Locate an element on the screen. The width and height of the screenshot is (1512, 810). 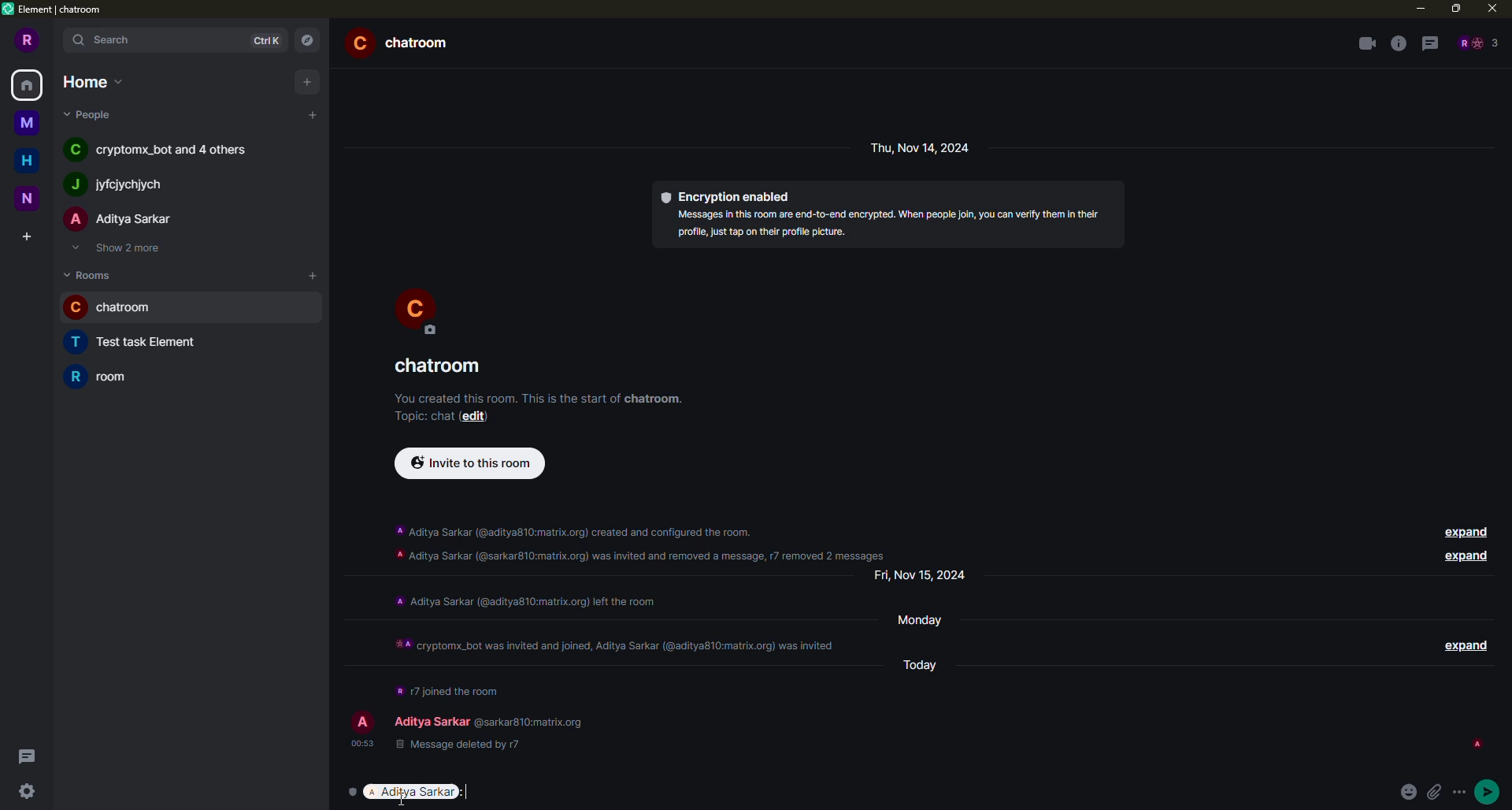
create space is located at coordinates (24, 236).